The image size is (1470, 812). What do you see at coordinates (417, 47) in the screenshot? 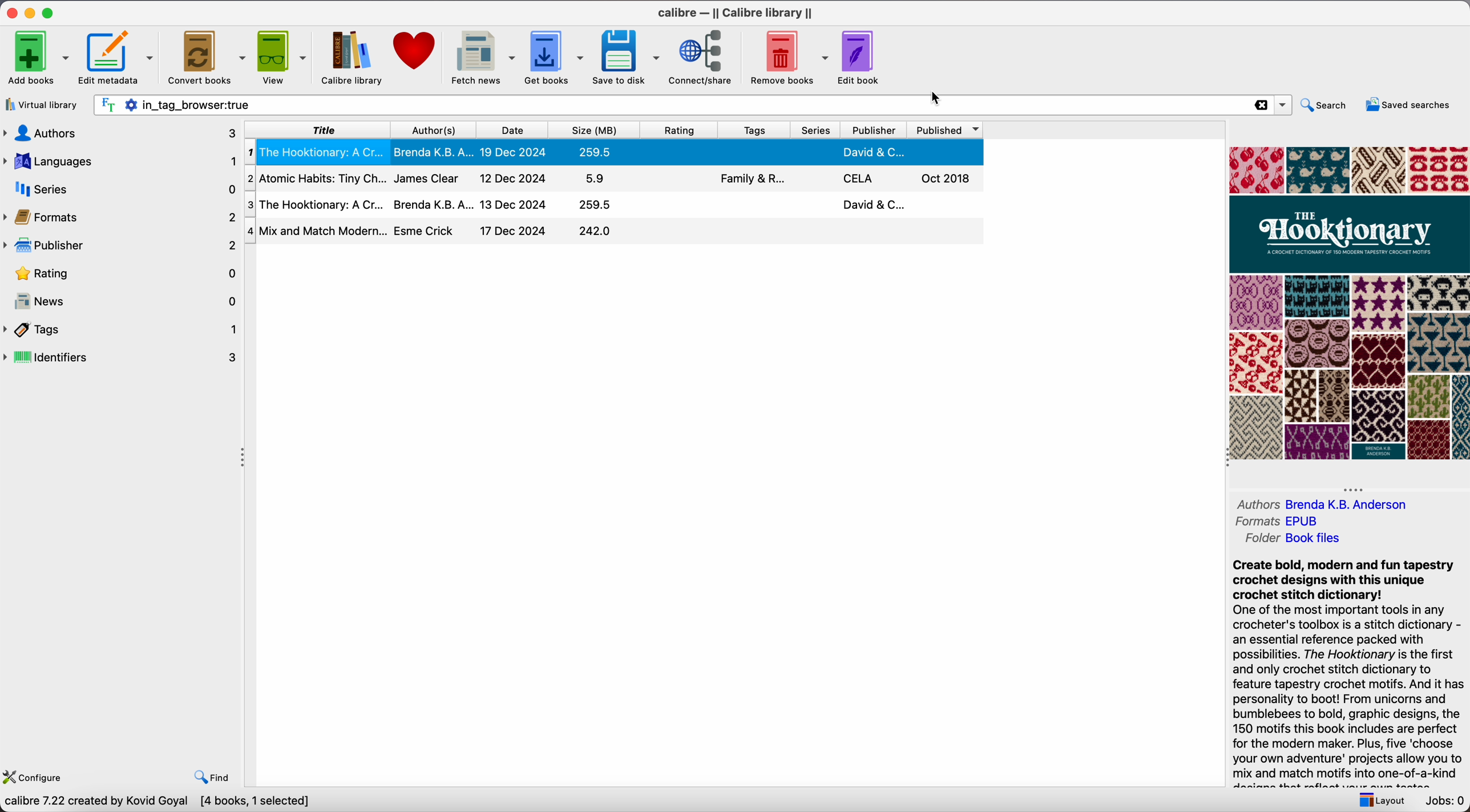
I see `Donate` at bounding box center [417, 47].